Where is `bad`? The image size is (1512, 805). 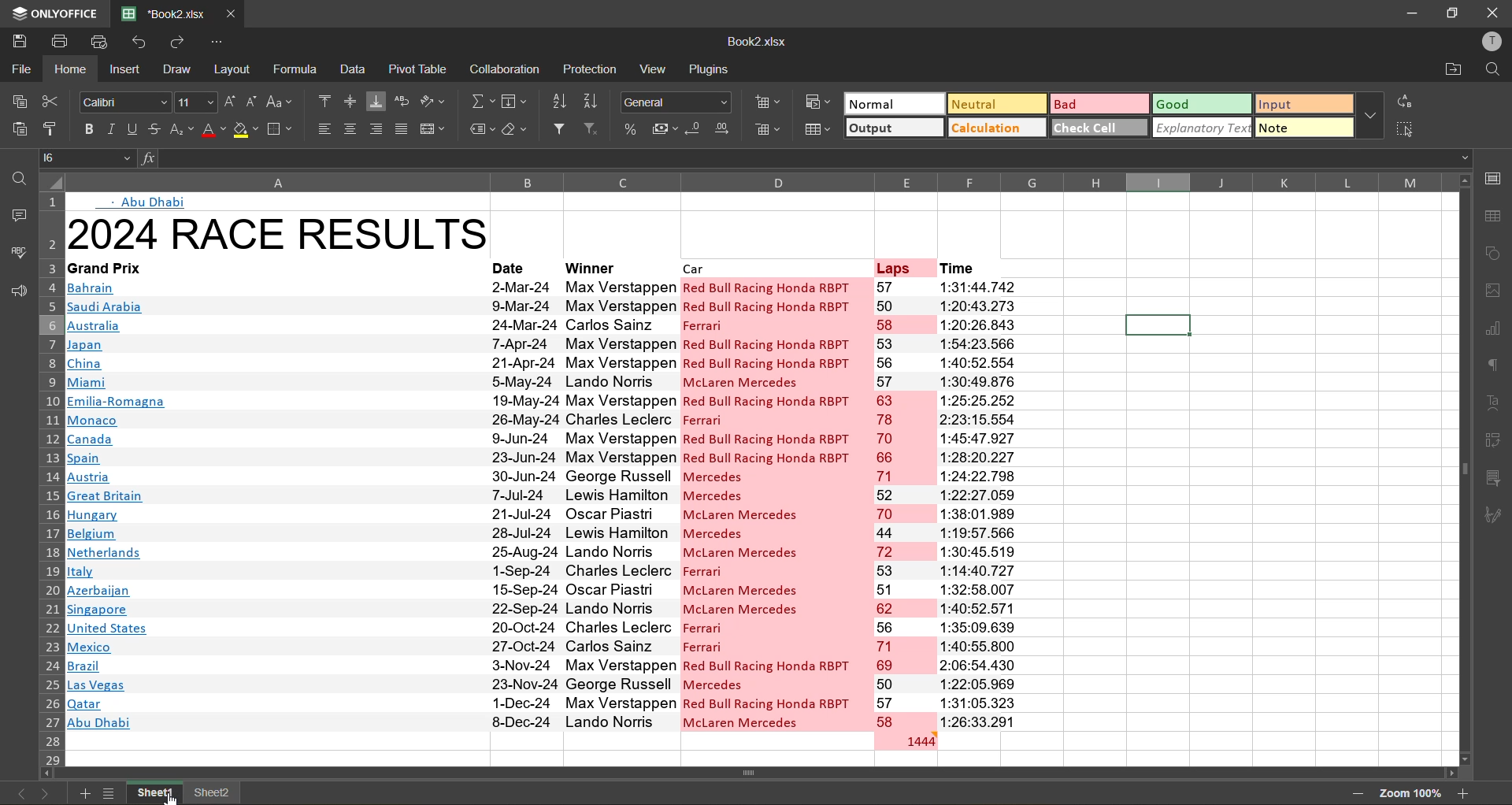 bad is located at coordinates (1096, 102).